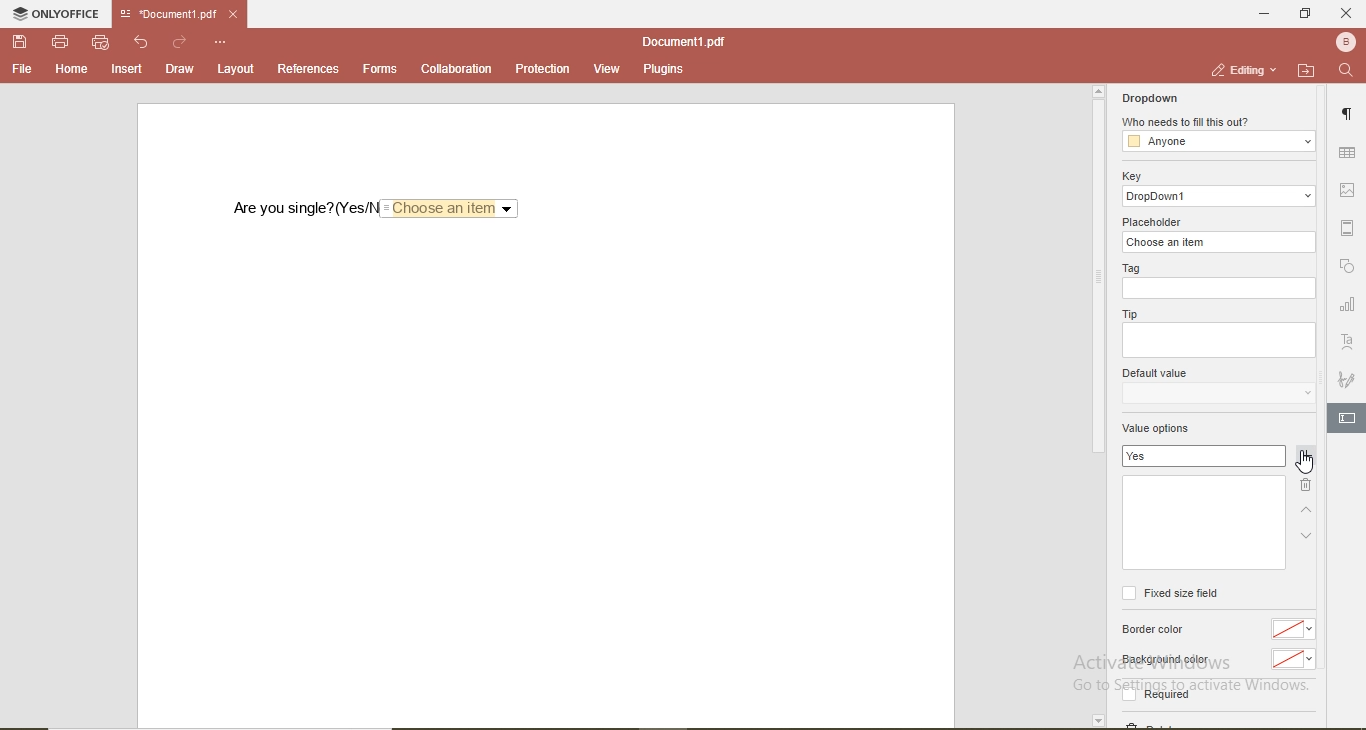 This screenshot has height=730, width=1366. Describe the element at coordinates (1143, 458) in the screenshot. I see `yes` at that location.